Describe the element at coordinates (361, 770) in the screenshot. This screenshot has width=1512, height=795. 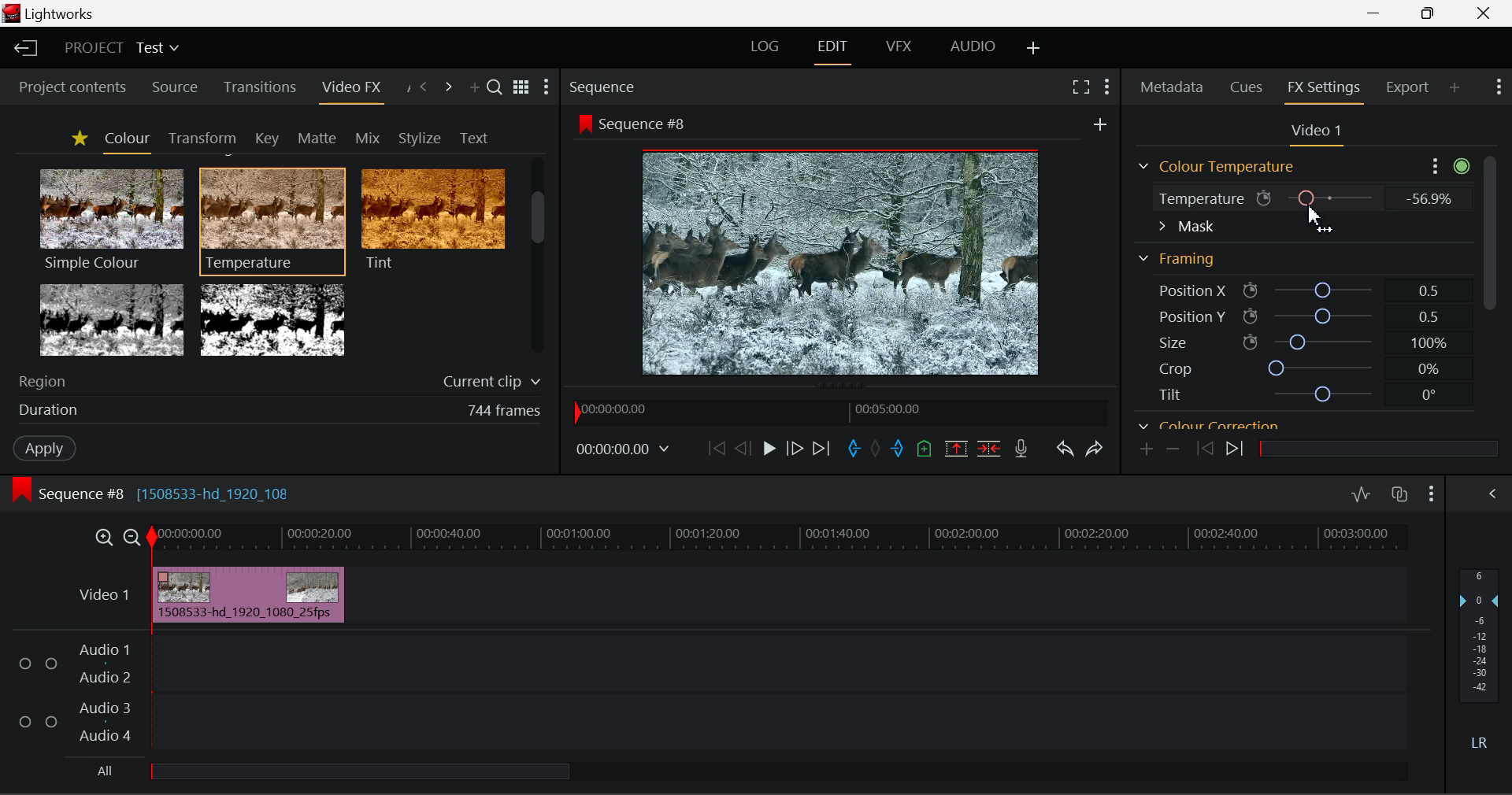
I see `all Audio` at that location.